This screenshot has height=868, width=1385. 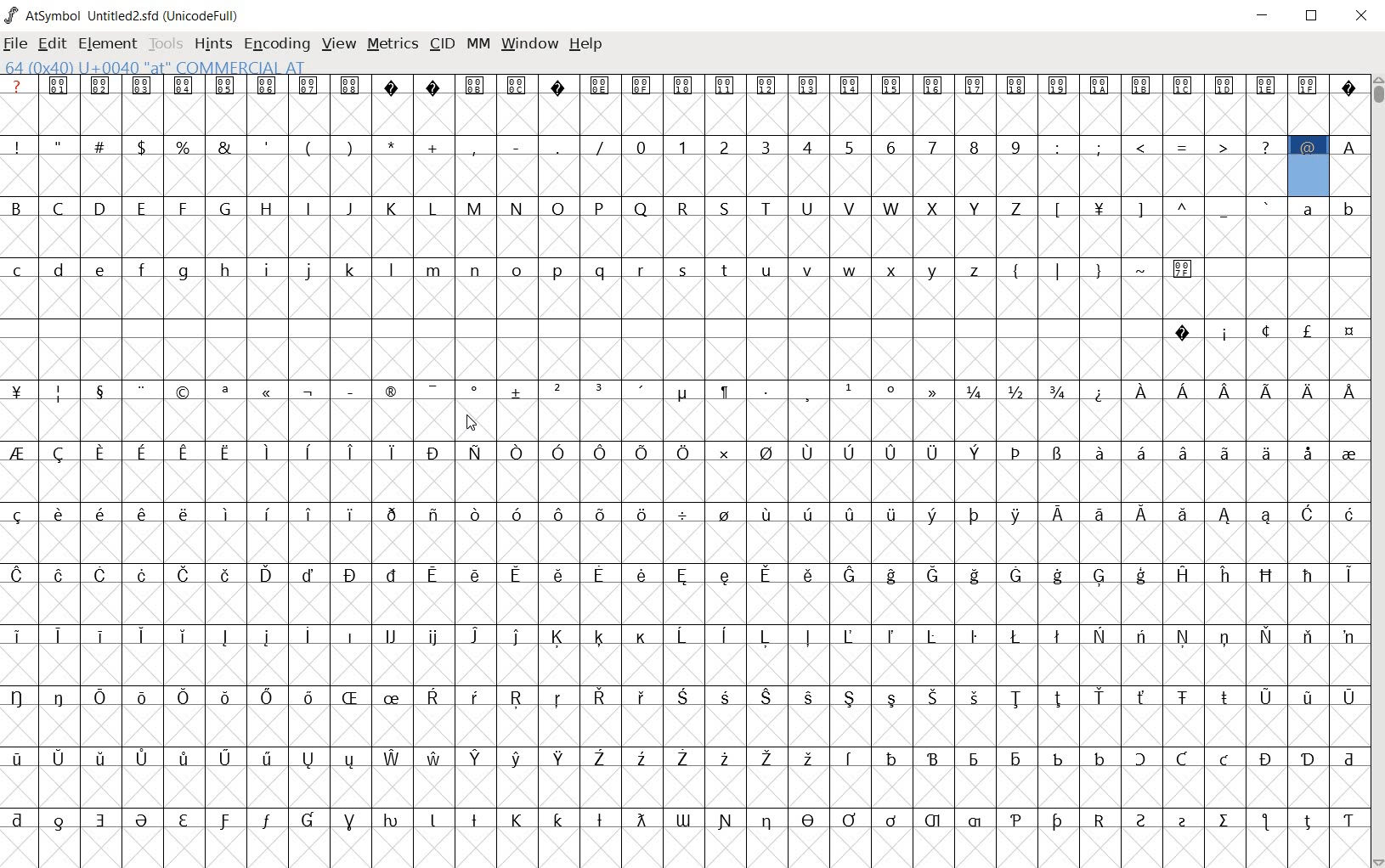 I want to click on , so click(x=679, y=573).